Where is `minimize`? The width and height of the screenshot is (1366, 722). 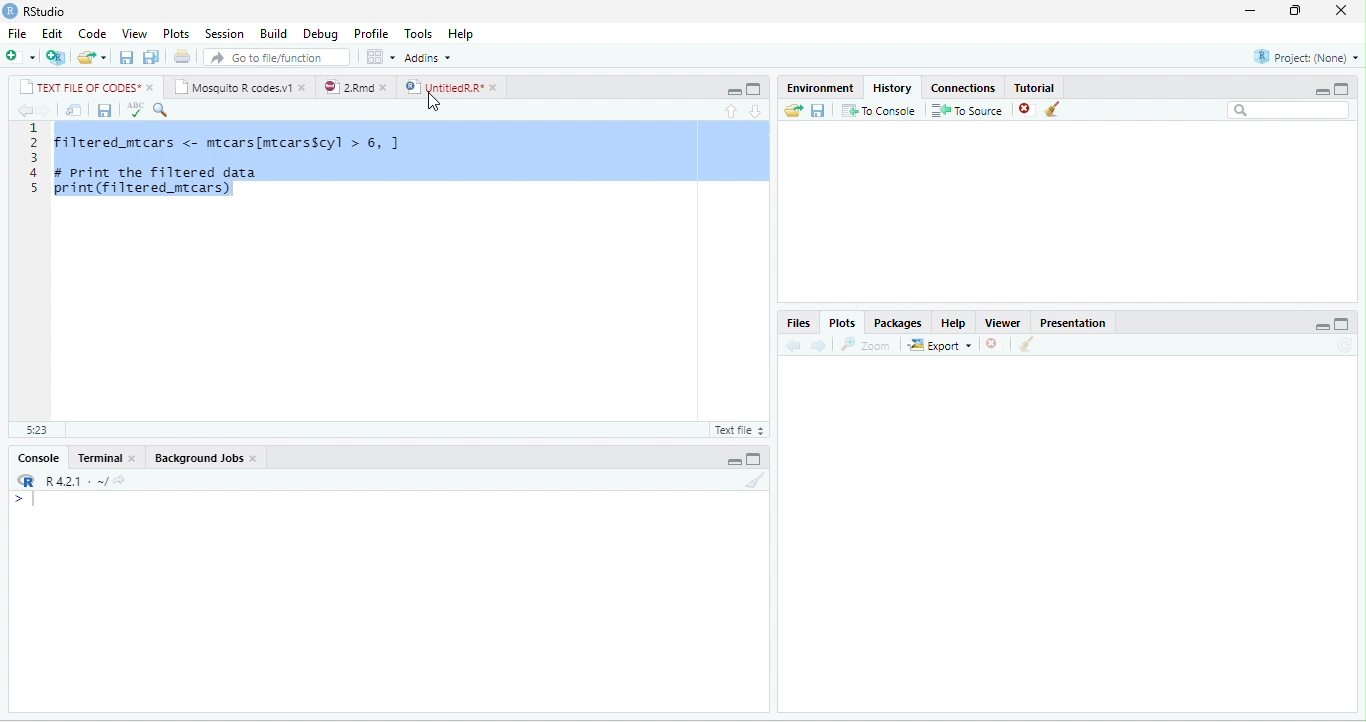
minimize is located at coordinates (734, 91).